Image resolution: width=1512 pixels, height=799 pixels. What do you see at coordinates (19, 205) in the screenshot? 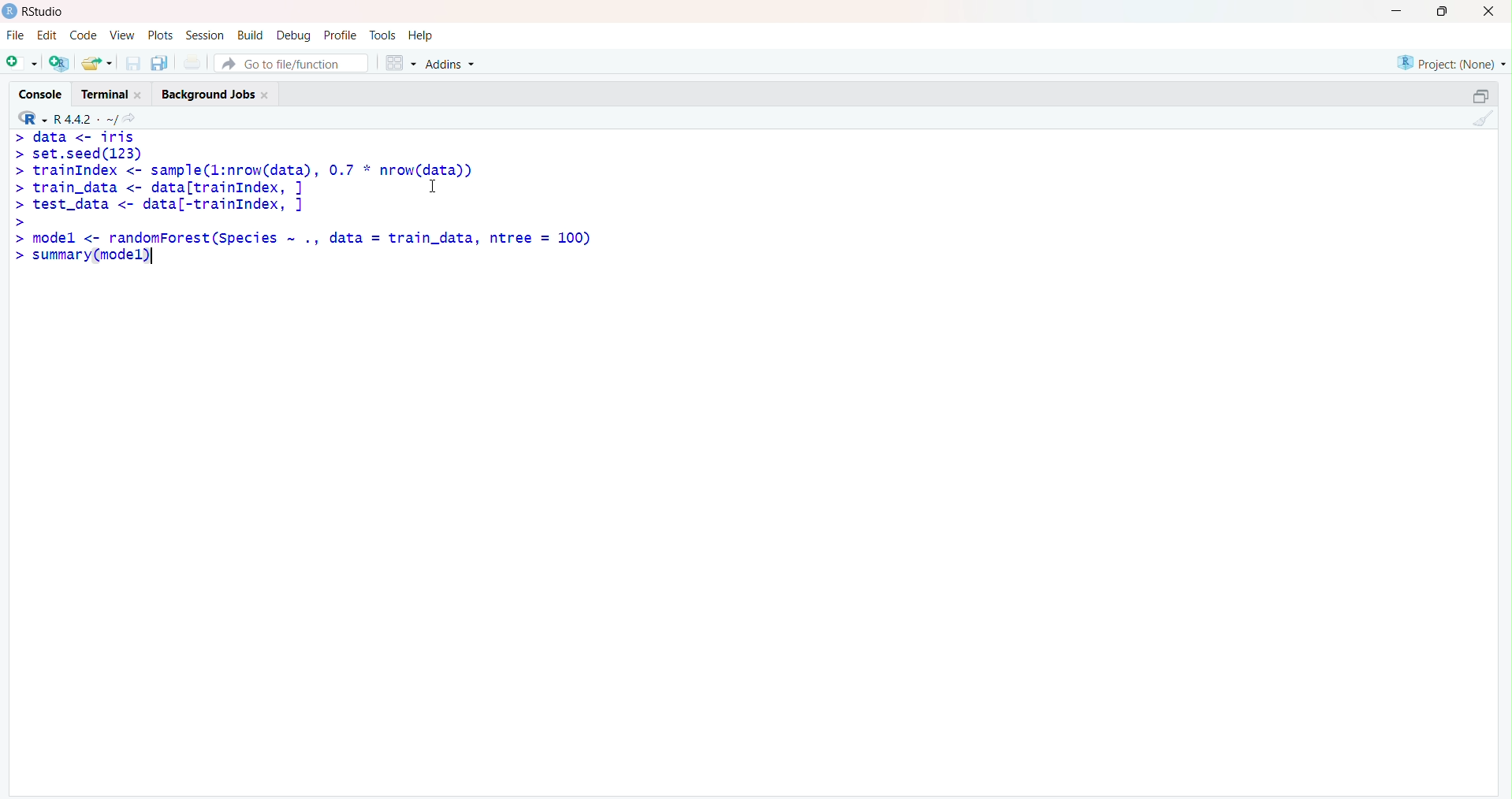
I see `Prompt cursor` at bounding box center [19, 205].